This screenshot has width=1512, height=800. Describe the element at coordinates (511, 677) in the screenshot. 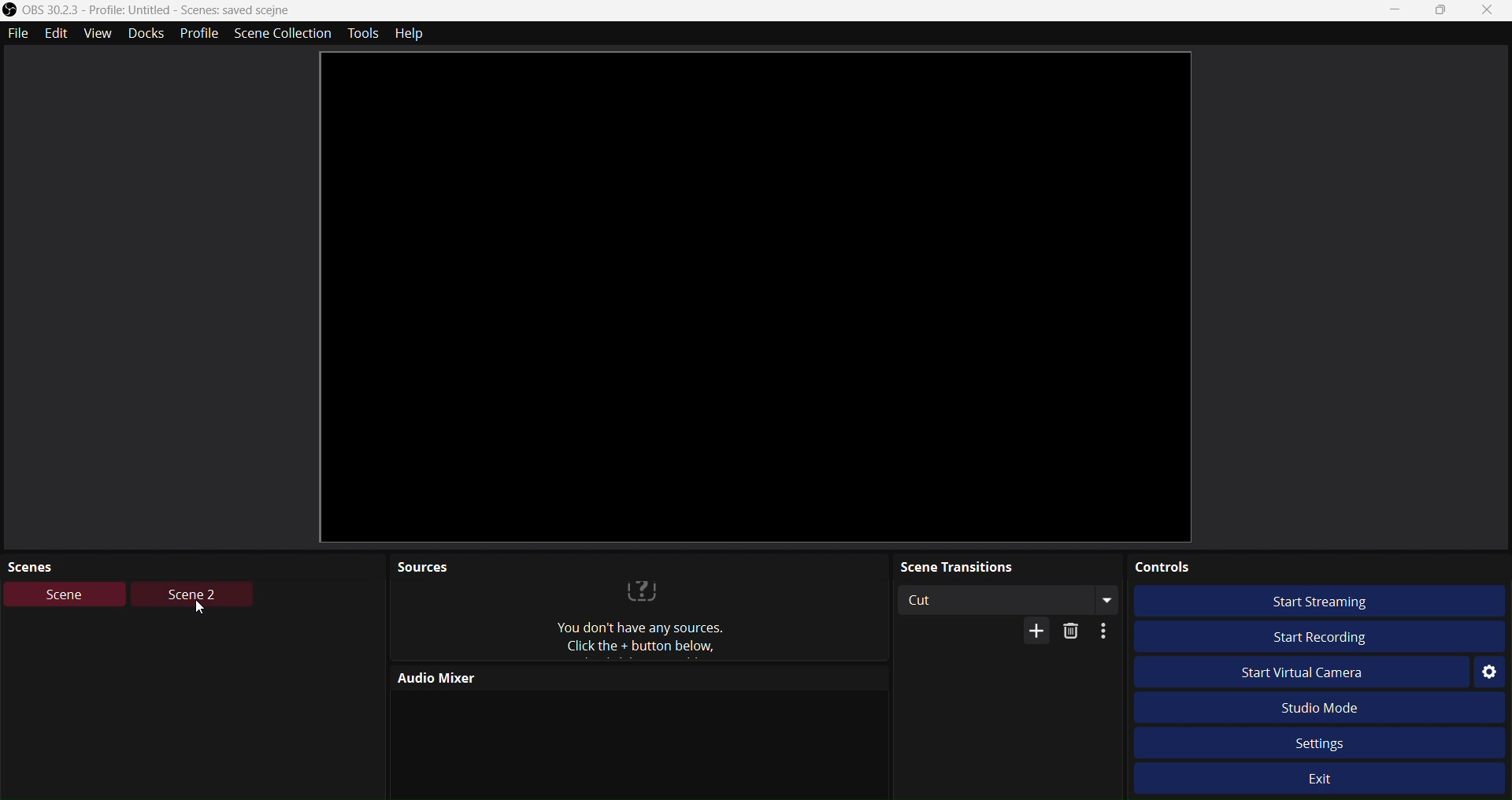

I see `Audio Mixer` at that location.